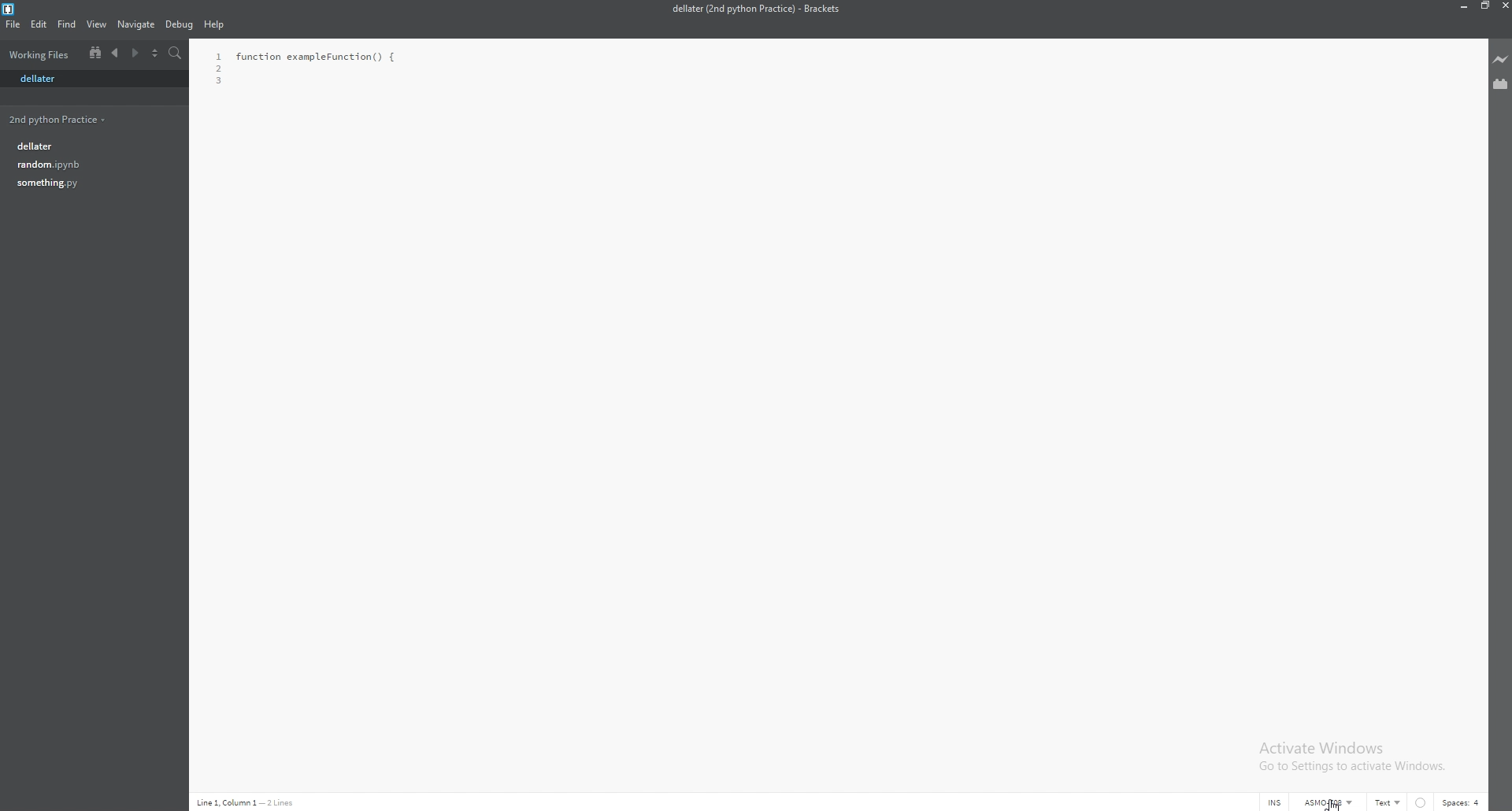 The image size is (1512, 811). Describe the element at coordinates (757, 9) in the screenshot. I see `dellater (2nd python practice) - brackets` at that location.